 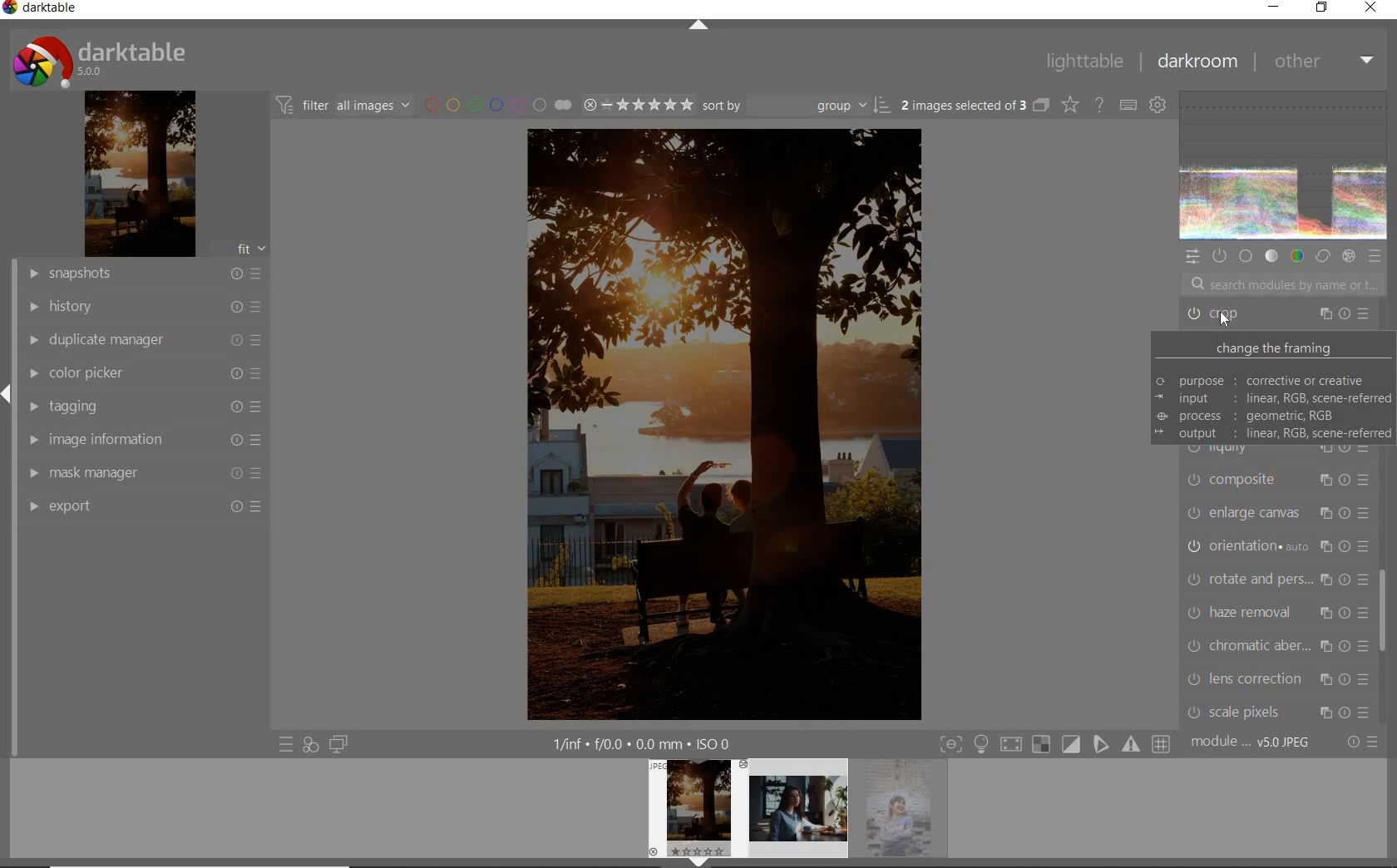 What do you see at coordinates (141, 439) in the screenshot?
I see `image information` at bounding box center [141, 439].